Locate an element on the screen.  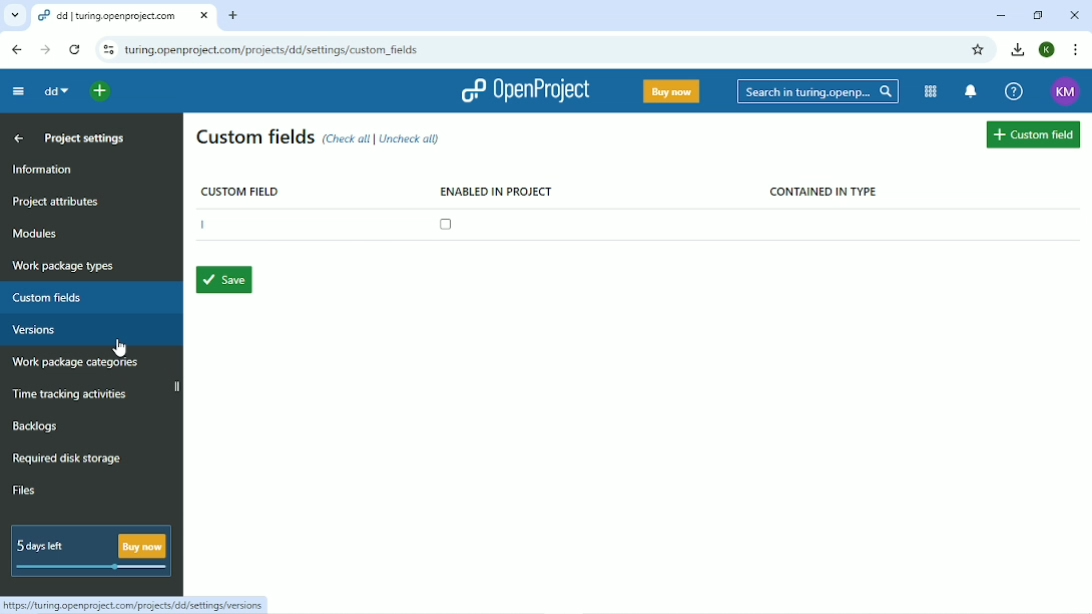
Save is located at coordinates (222, 280).